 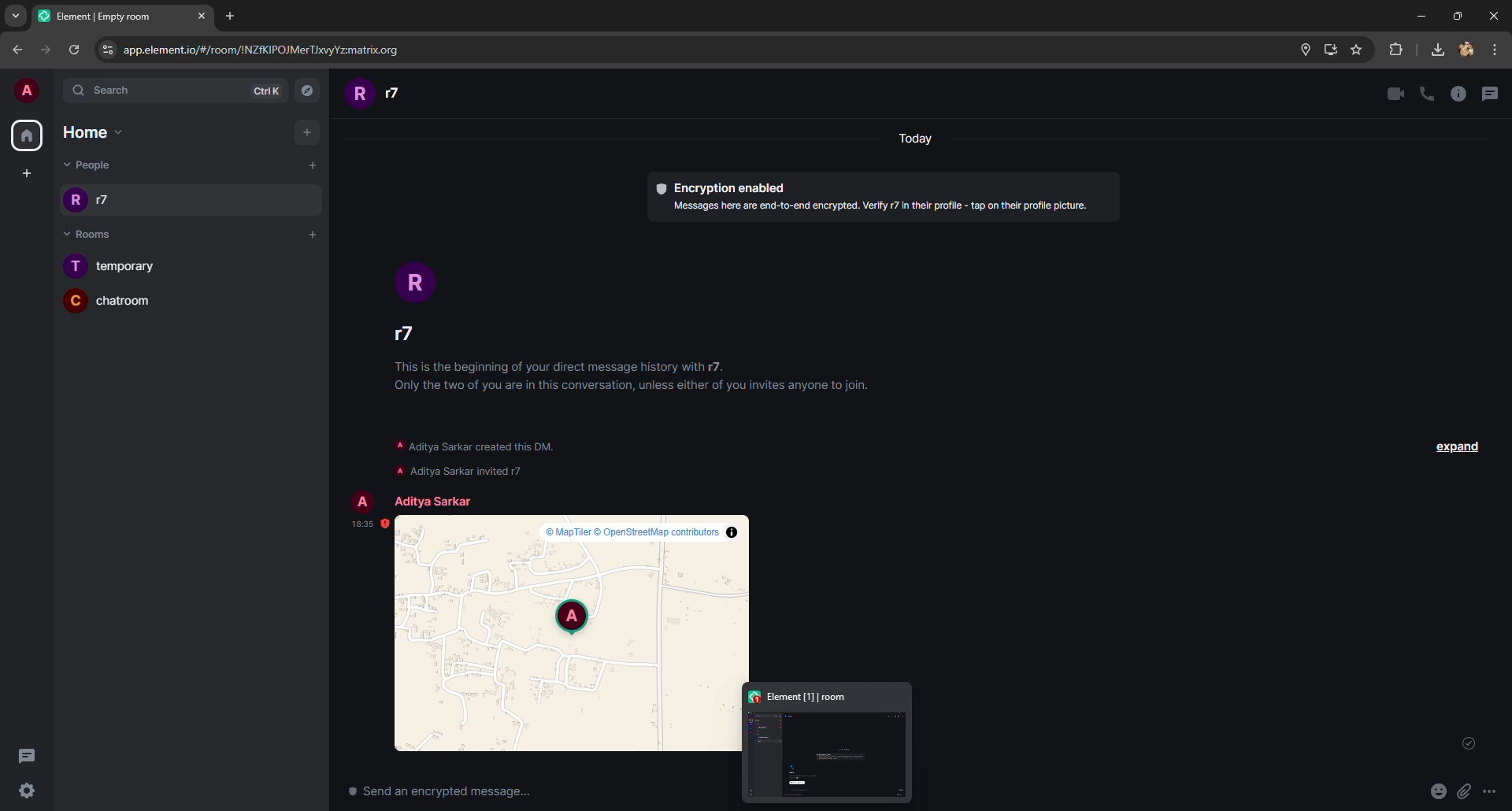 I want to click on text, so click(x=473, y=457).